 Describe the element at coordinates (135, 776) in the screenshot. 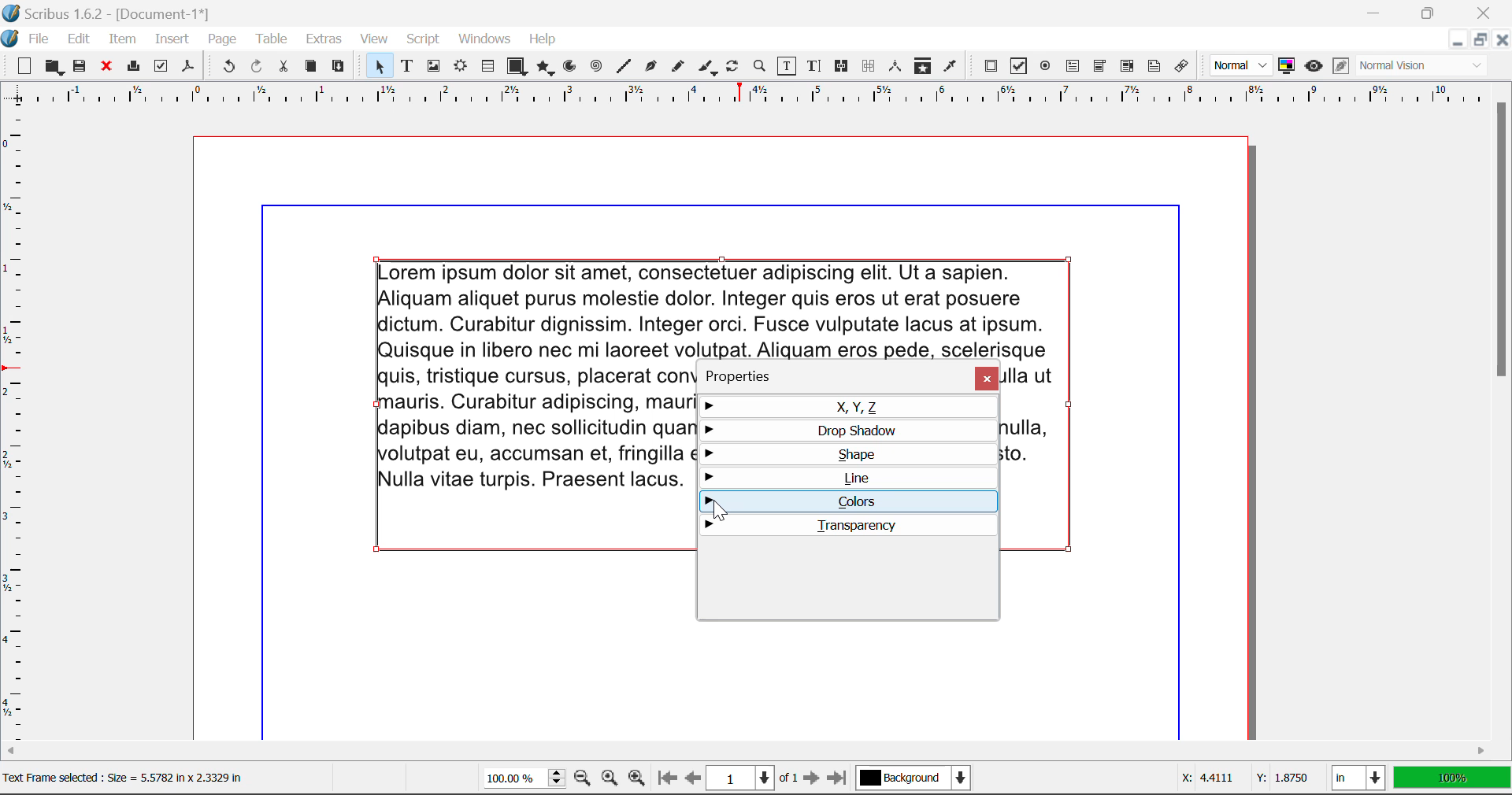

I see `Text Frame selected : Size = 5.5782 in x 2.3329 in` at that location.